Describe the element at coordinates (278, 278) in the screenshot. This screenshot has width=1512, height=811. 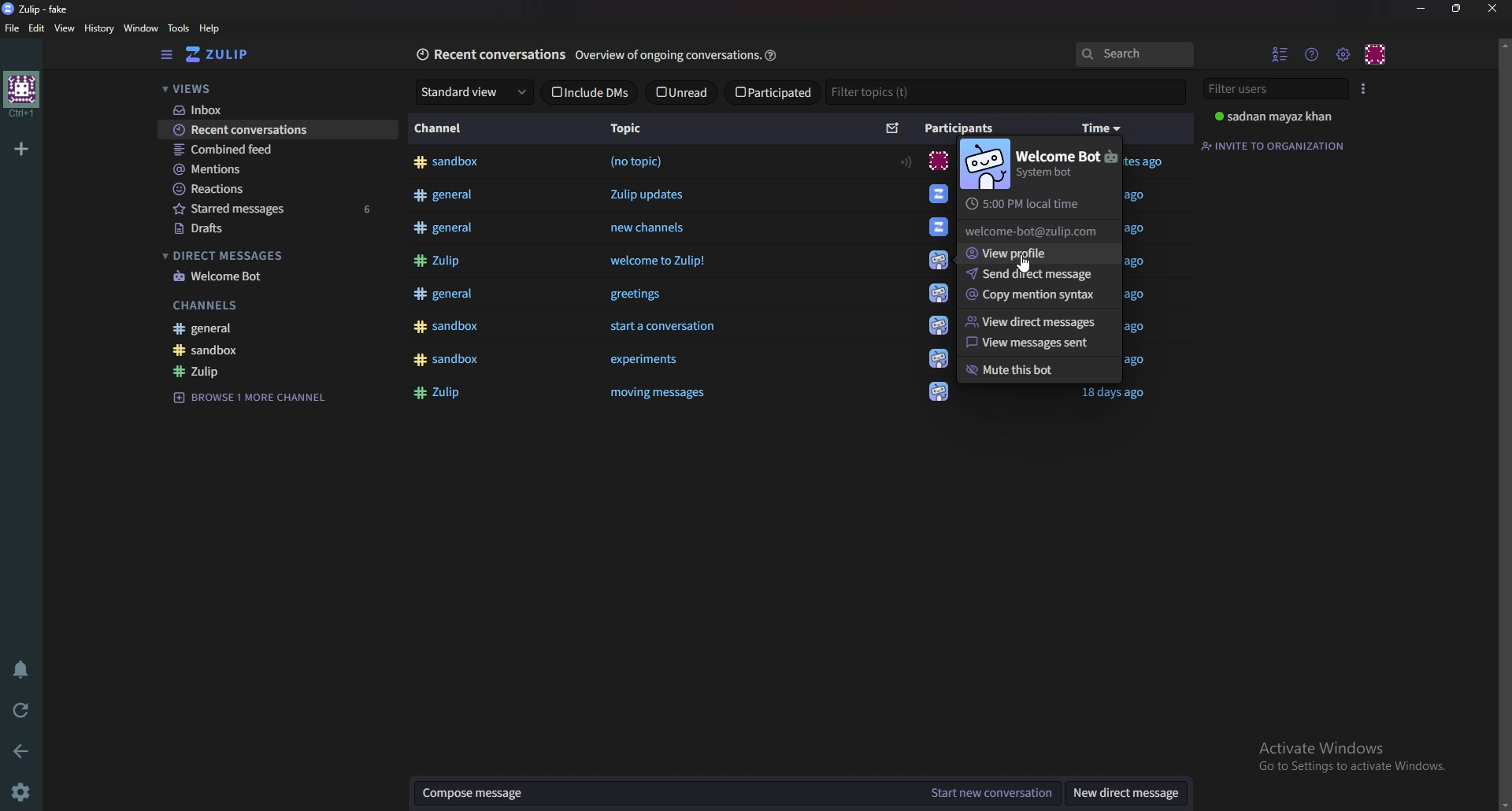
I see `welcome bot` at that location.